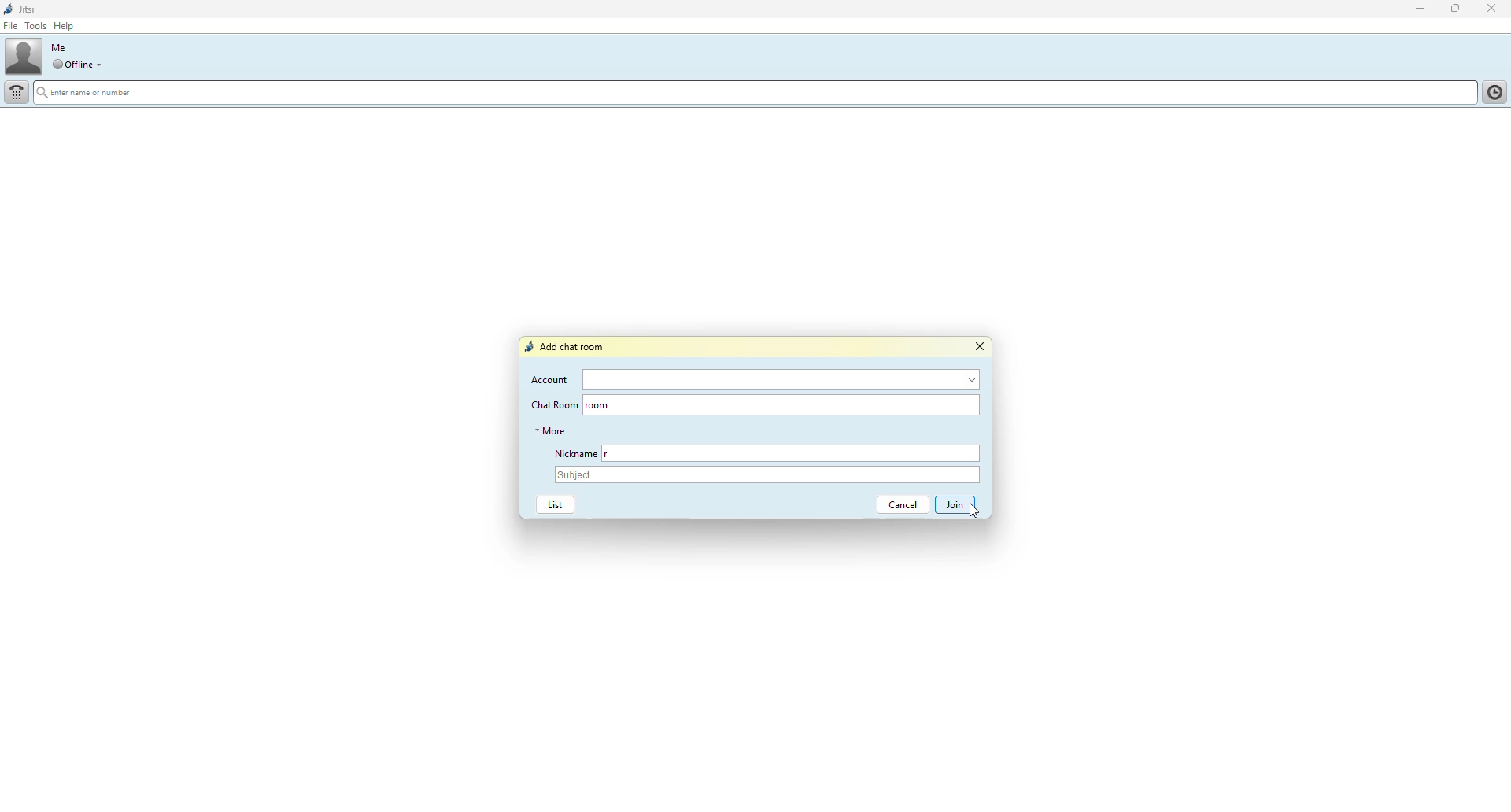 The width and height of the screenshot is (1511, 812). Describe the element at coordinates (1492, 90) in the screenshot. I see `History` at that location.